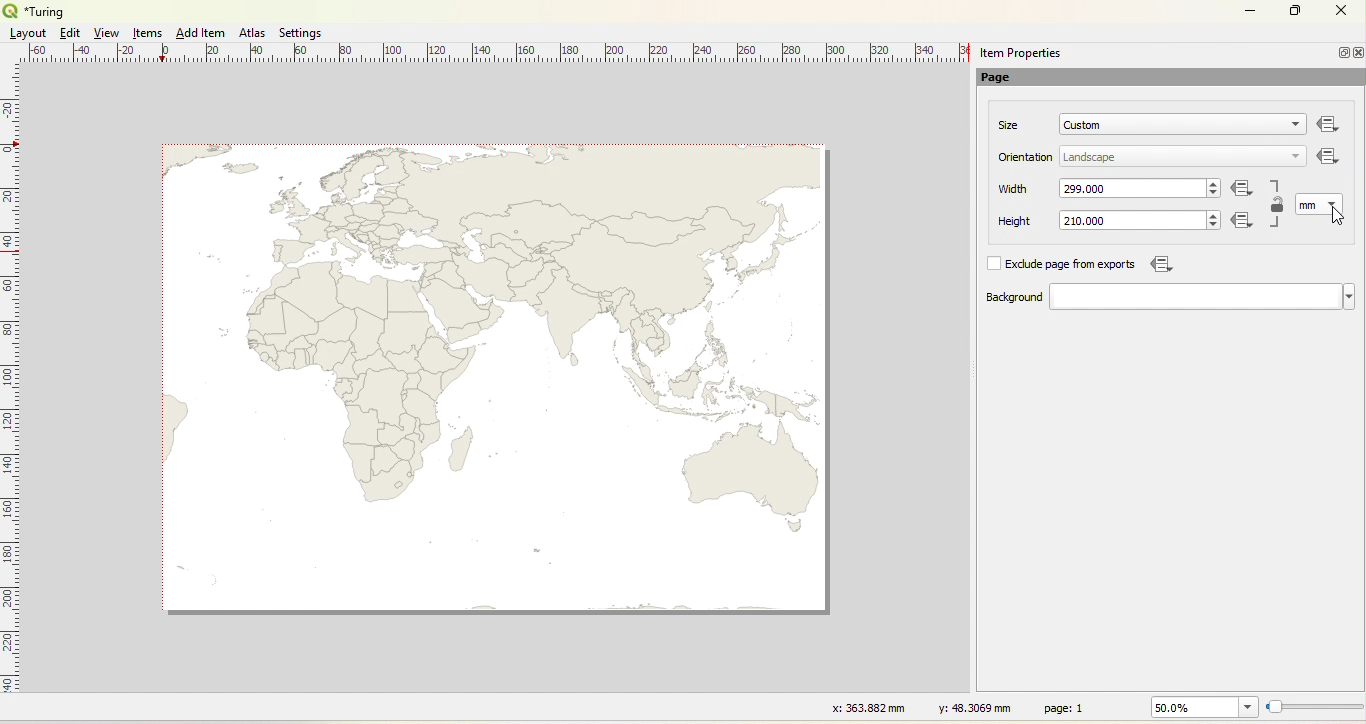  What do you see at coordinates (1083, 125) in the screenshot?
I see `Custom` at bounding box center [1083, 125].